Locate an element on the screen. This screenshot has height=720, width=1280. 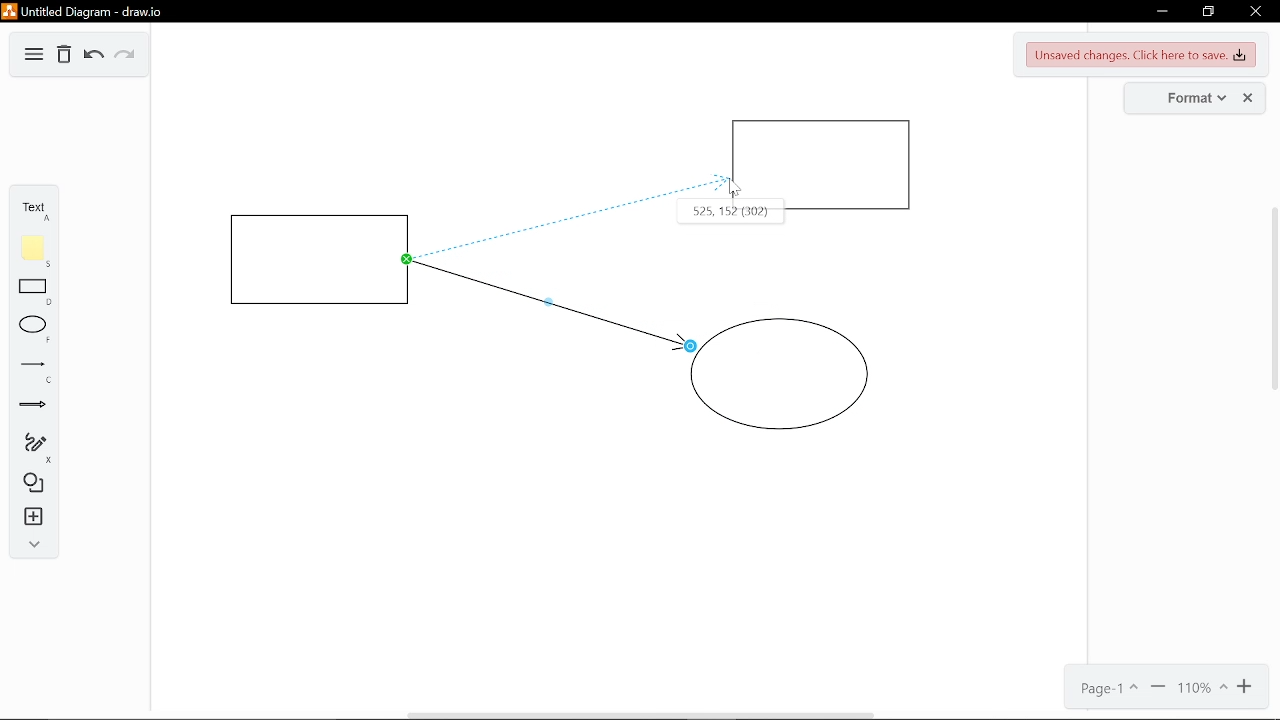
Arrow is located at coordinates (33, 406).